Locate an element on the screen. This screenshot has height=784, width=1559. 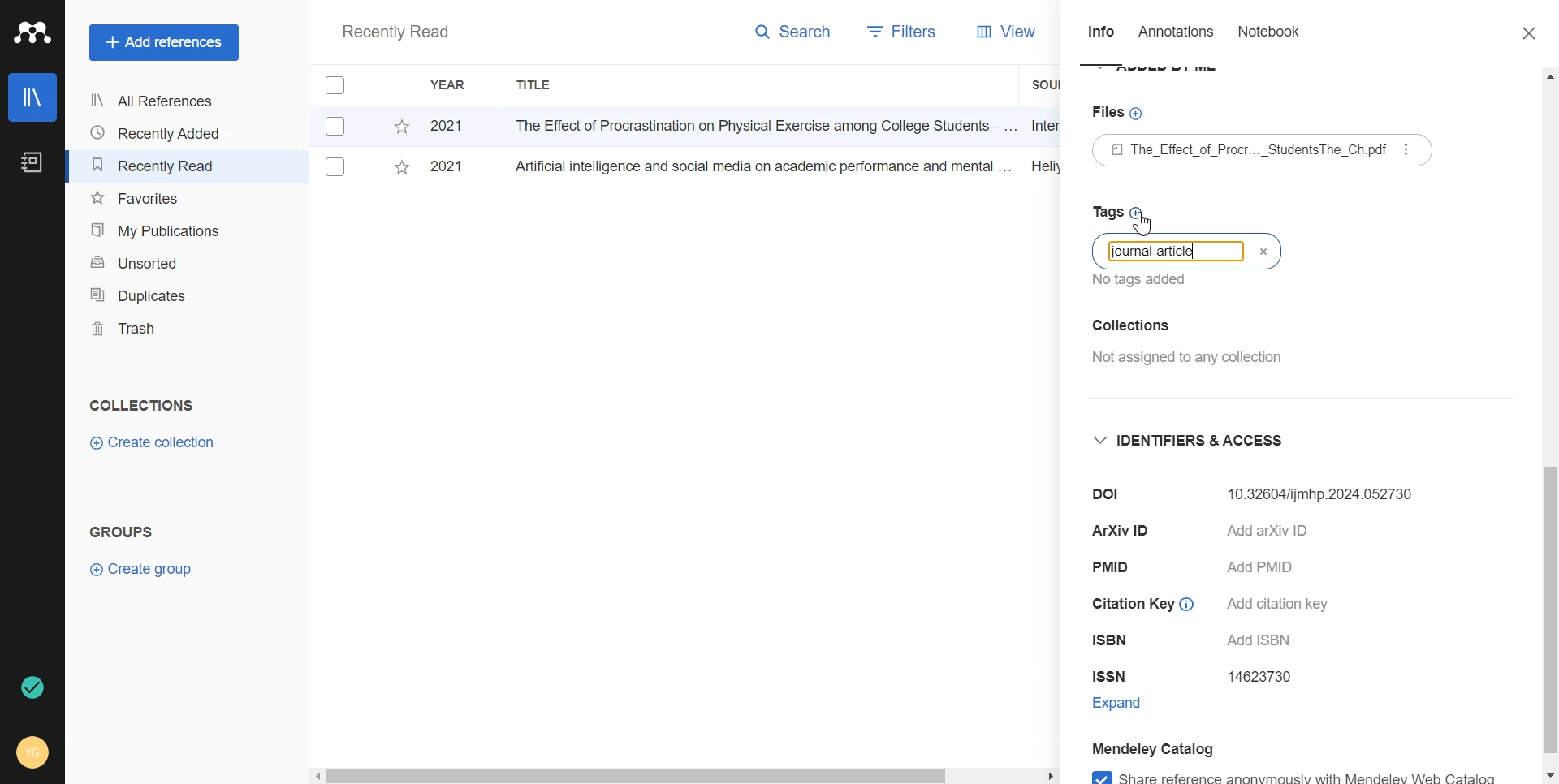
Info is located at coordinates (1101, 37).